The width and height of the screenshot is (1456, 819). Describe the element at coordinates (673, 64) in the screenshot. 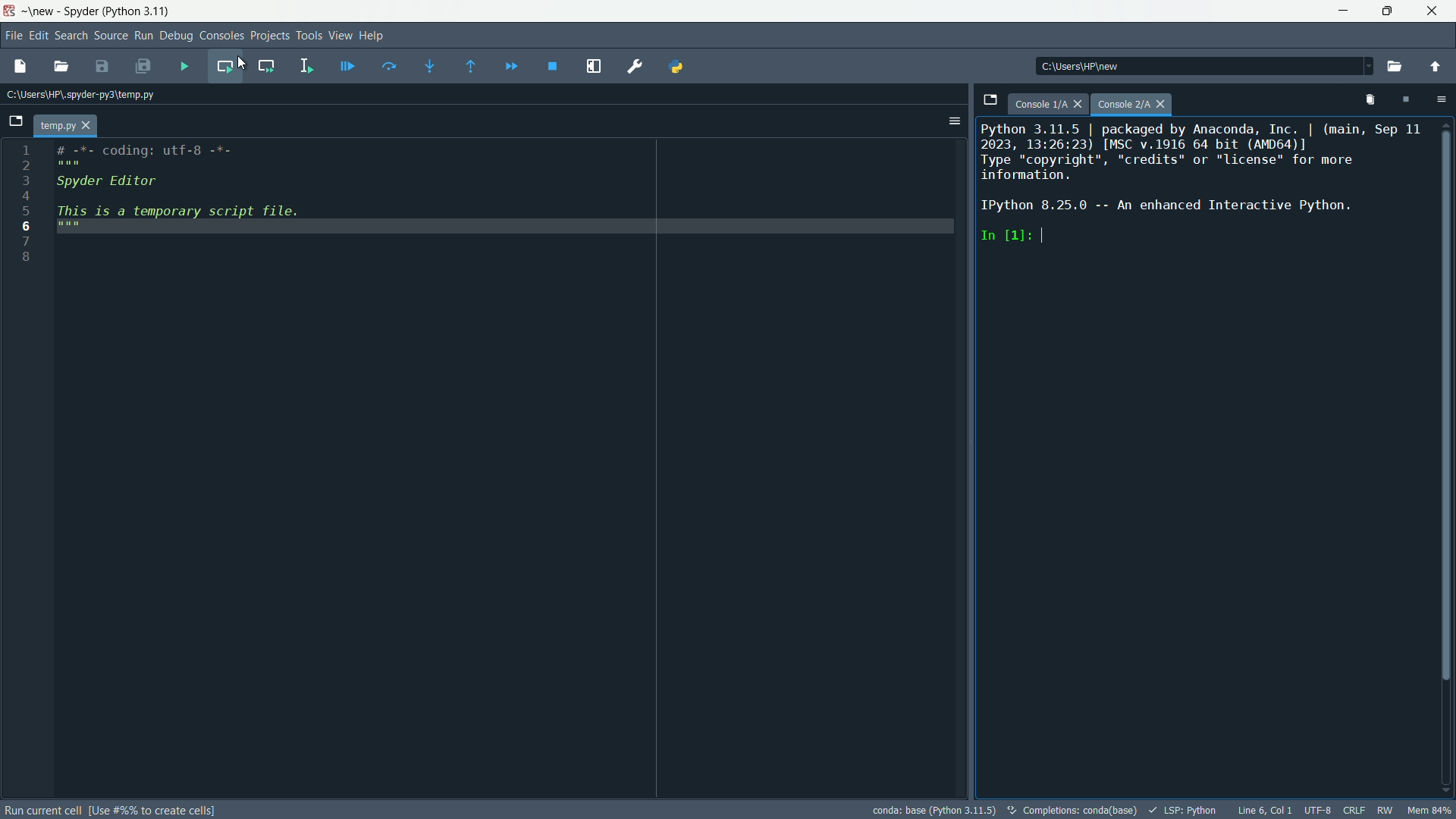

I see `PYTHONPATH manager` at that location.